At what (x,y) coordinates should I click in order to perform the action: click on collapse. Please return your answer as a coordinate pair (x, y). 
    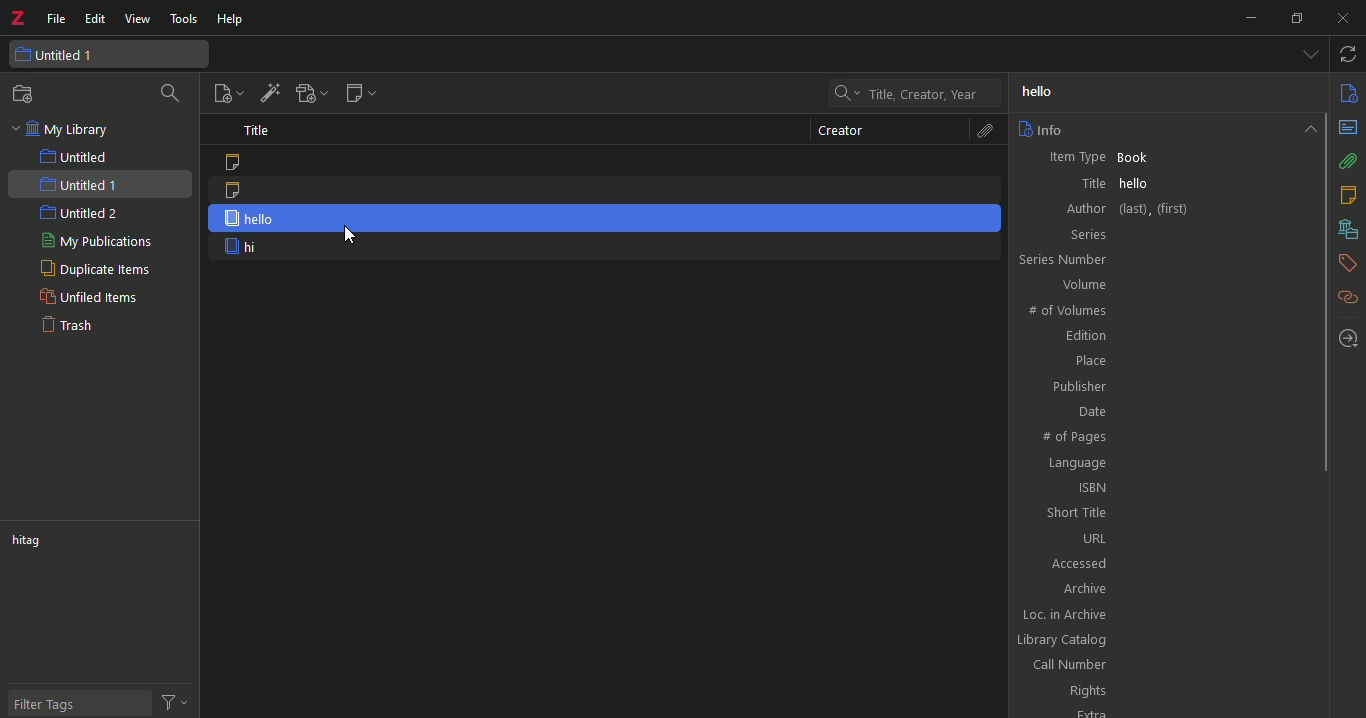
    Looking at the image, I should click on (1310, 129).